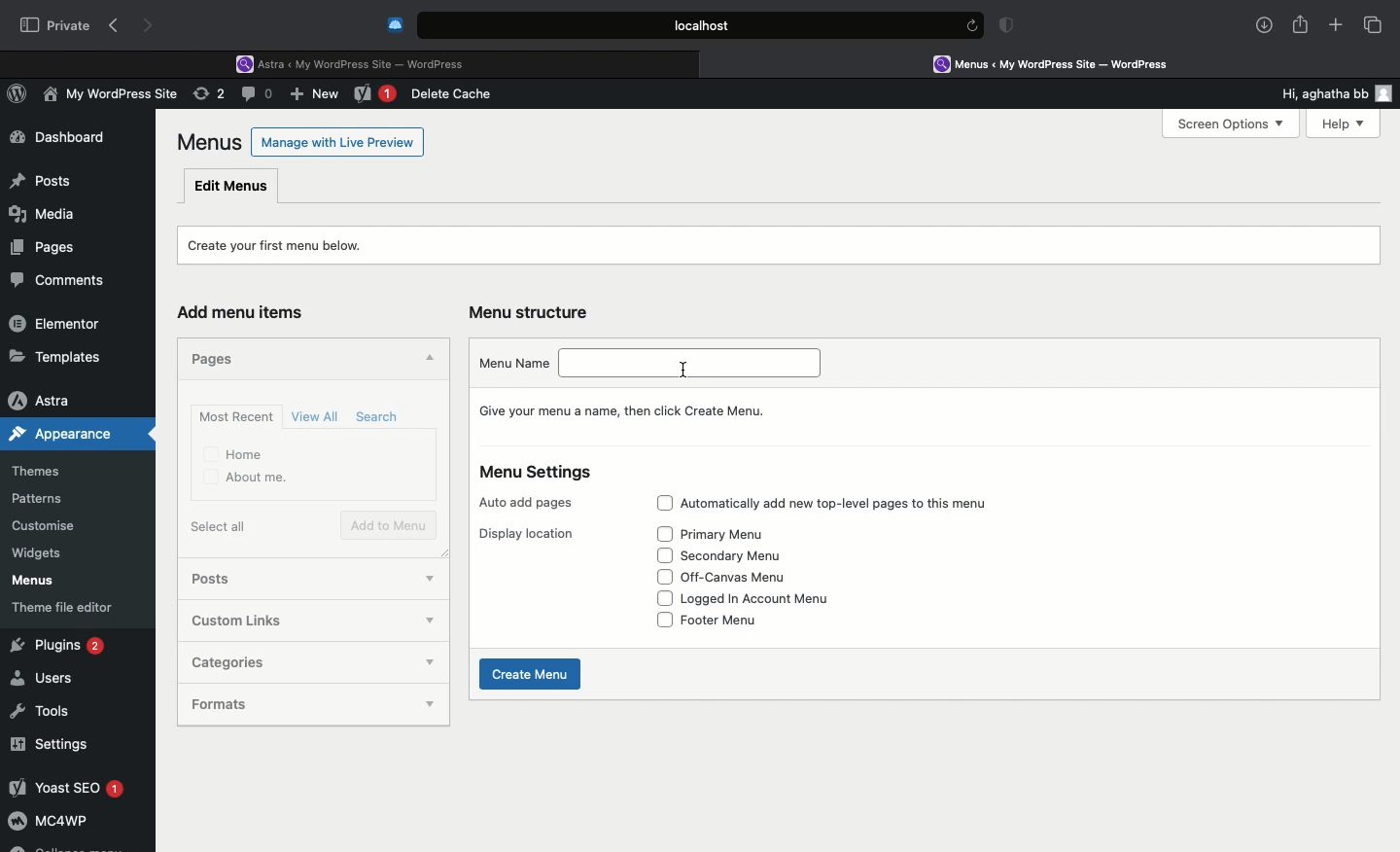 The width and height of the screenshot is (1400, 852). Describe the element at coordinates (107, 97) in the screenshot. I see `My WordPress Site` at that location.